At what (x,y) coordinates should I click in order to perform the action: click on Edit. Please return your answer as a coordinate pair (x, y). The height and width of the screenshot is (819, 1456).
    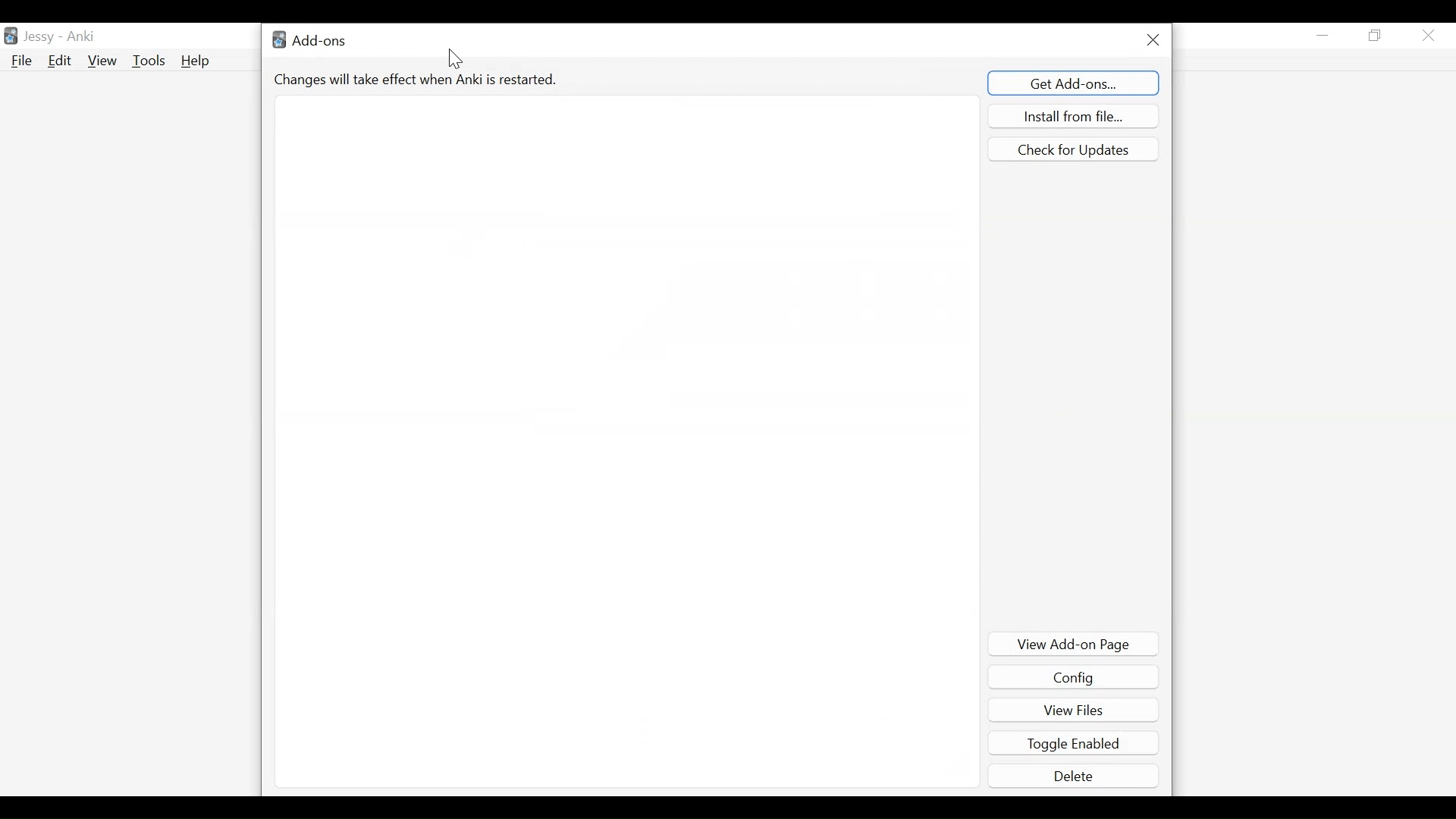
    Looking at the image, I should click on (58, 61).